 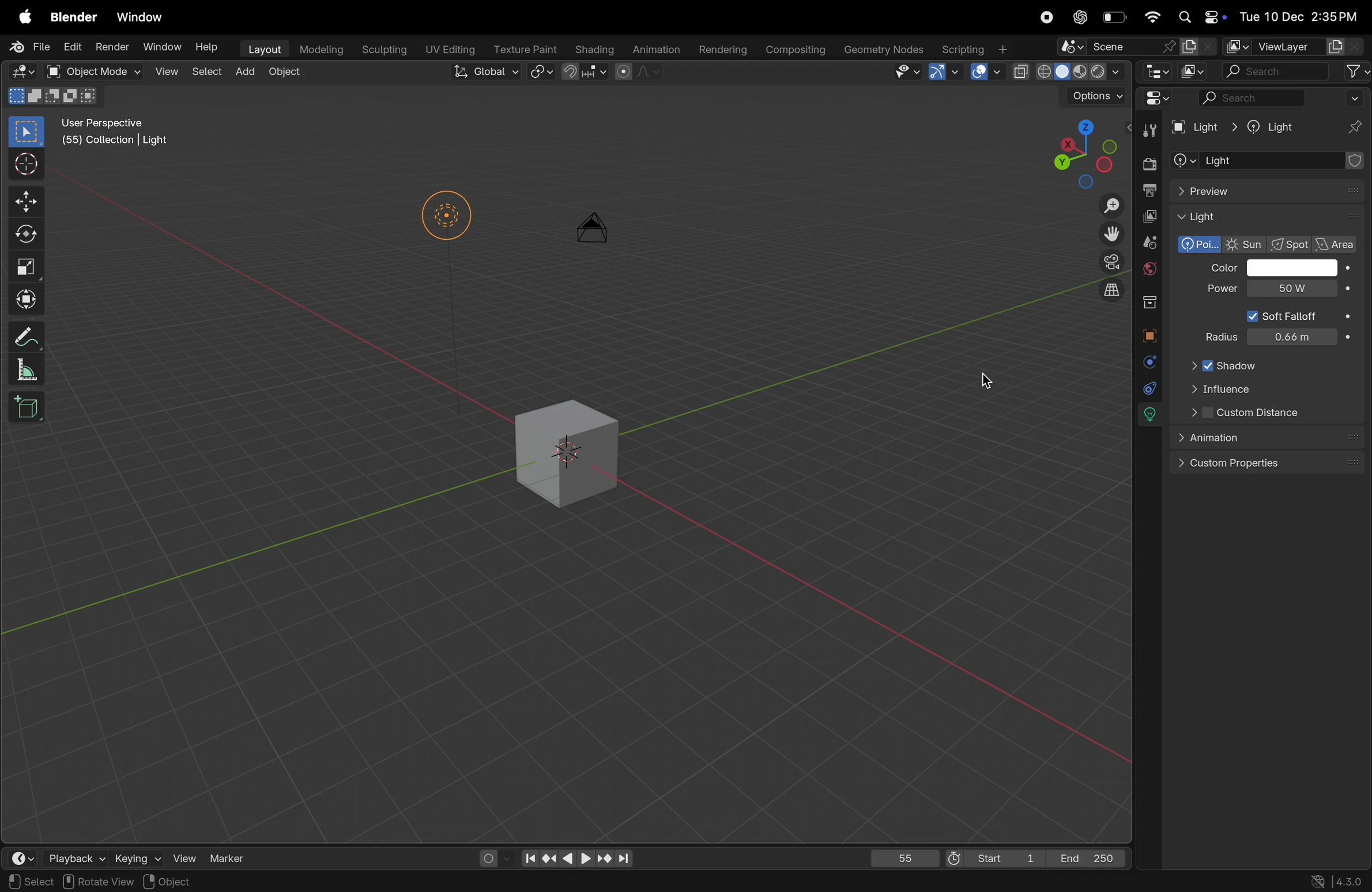 I want to click on shading, so click(x=595, y=48).